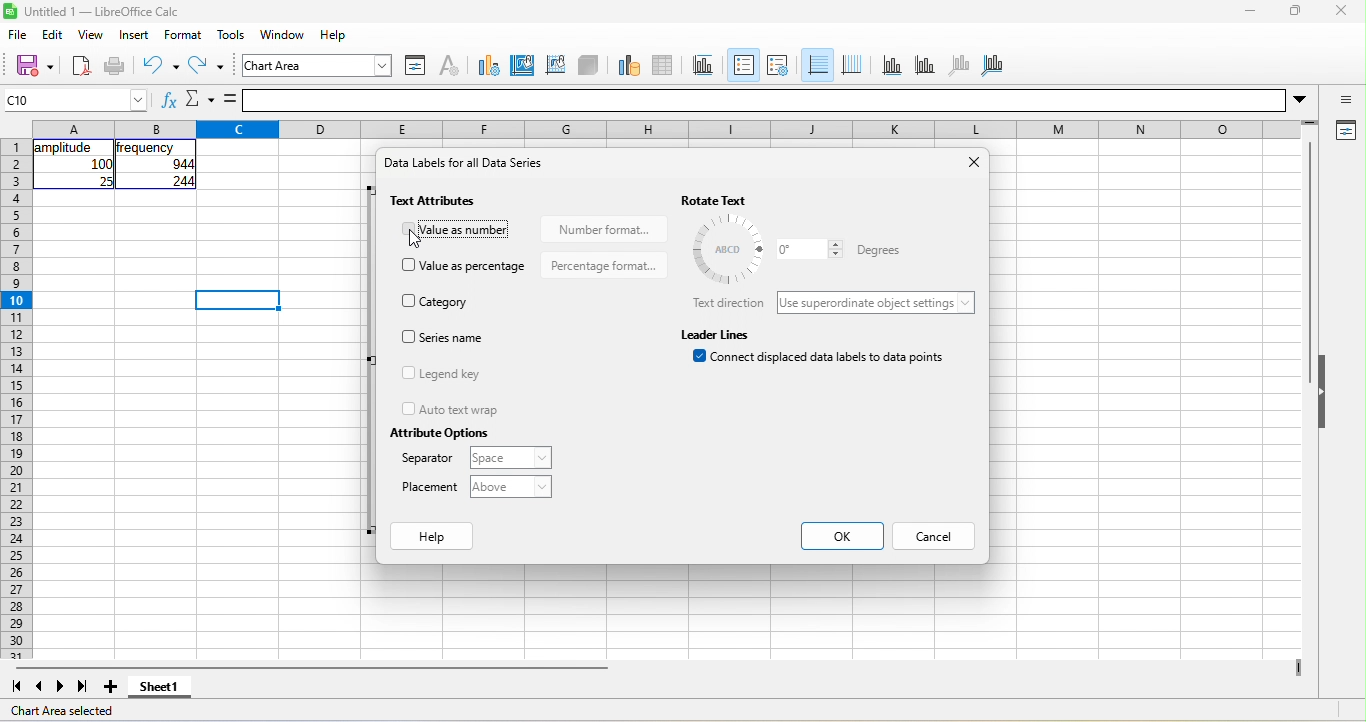 The width and height of the screenshot is (1366, 722). Describe the element at coordinates (448, 65) in the screenshot. I see `character` at that location.